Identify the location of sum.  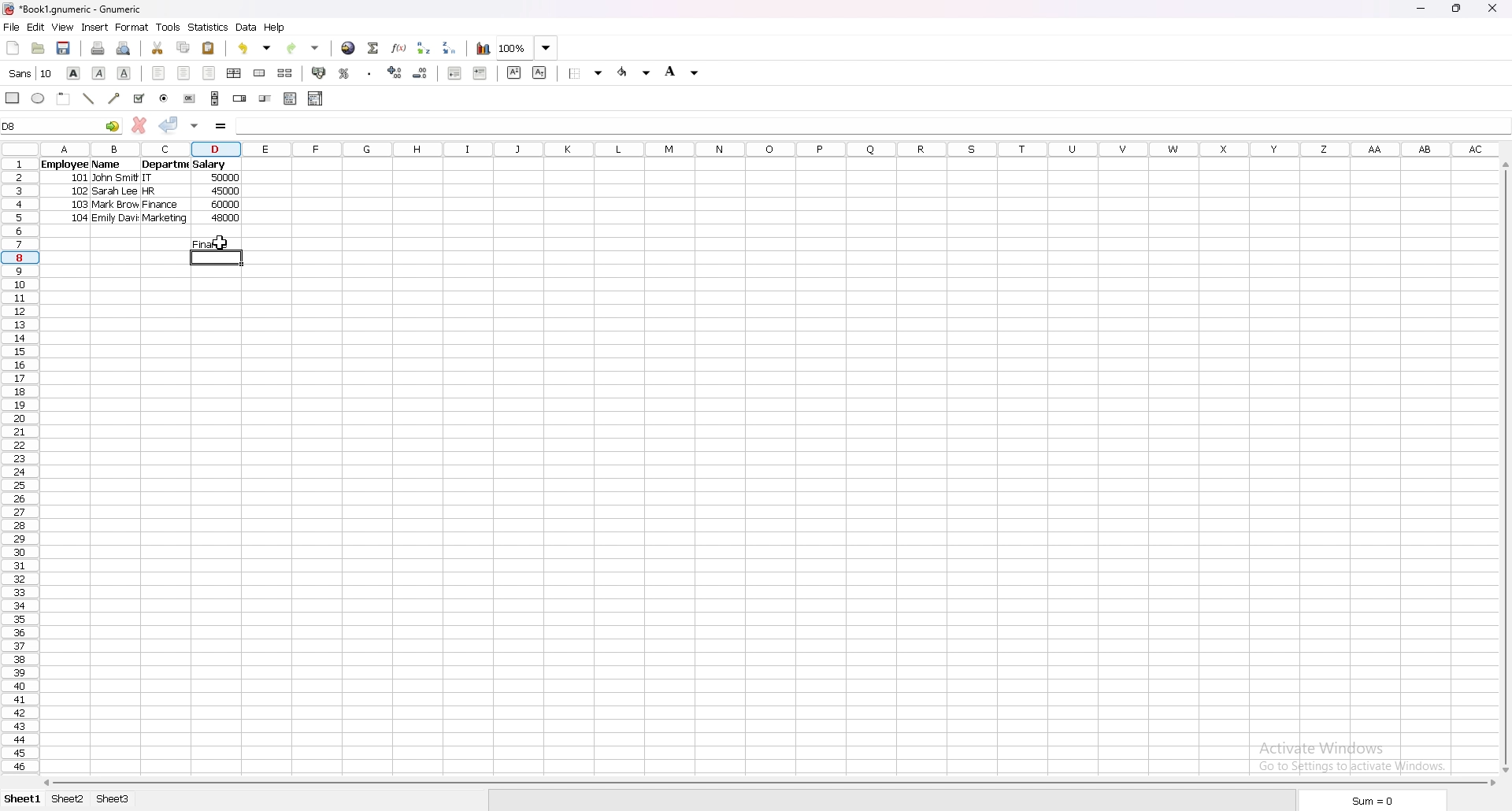
(1375, 799).